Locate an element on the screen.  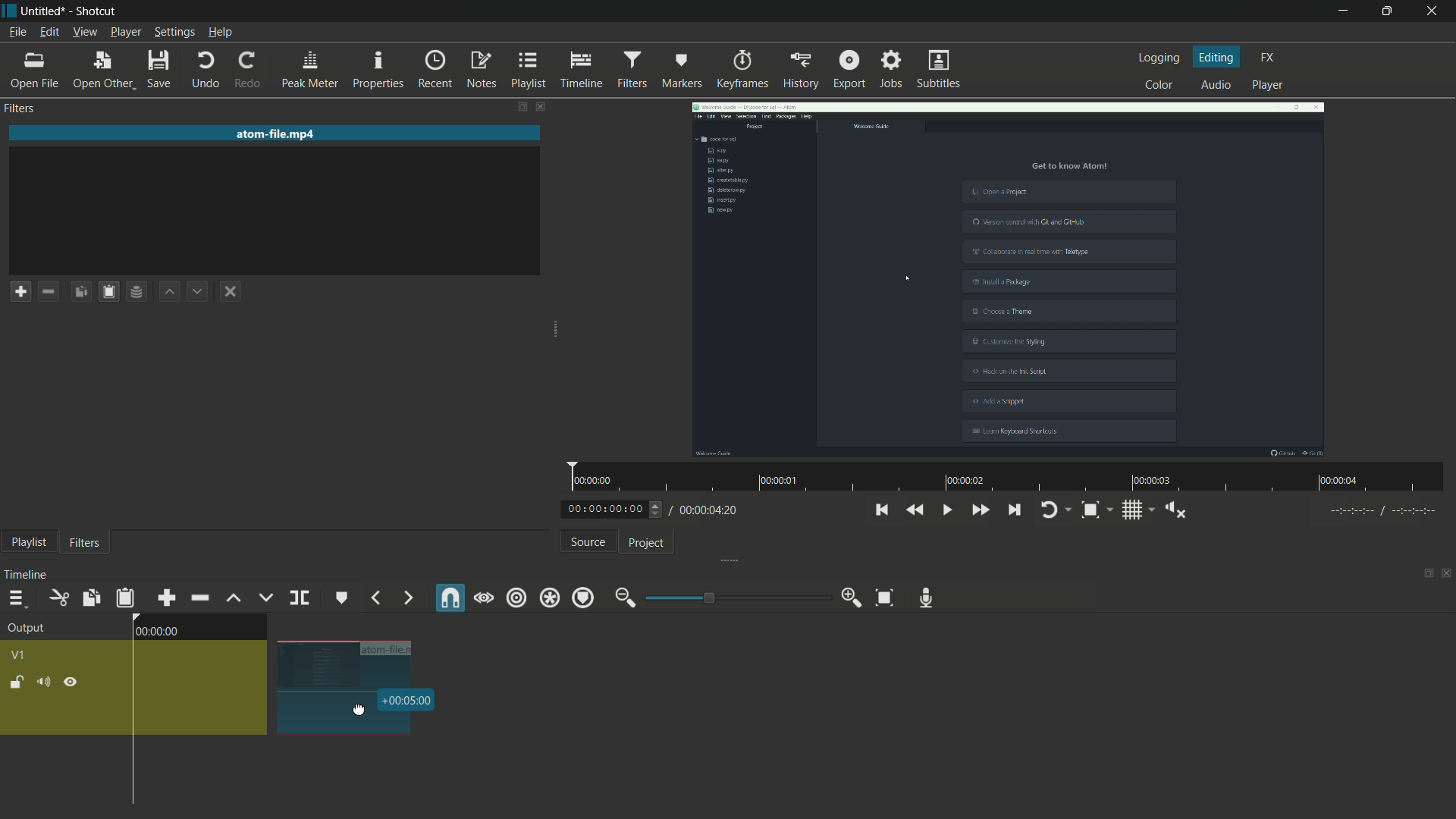
timeline is located at coordinates (581, 68).